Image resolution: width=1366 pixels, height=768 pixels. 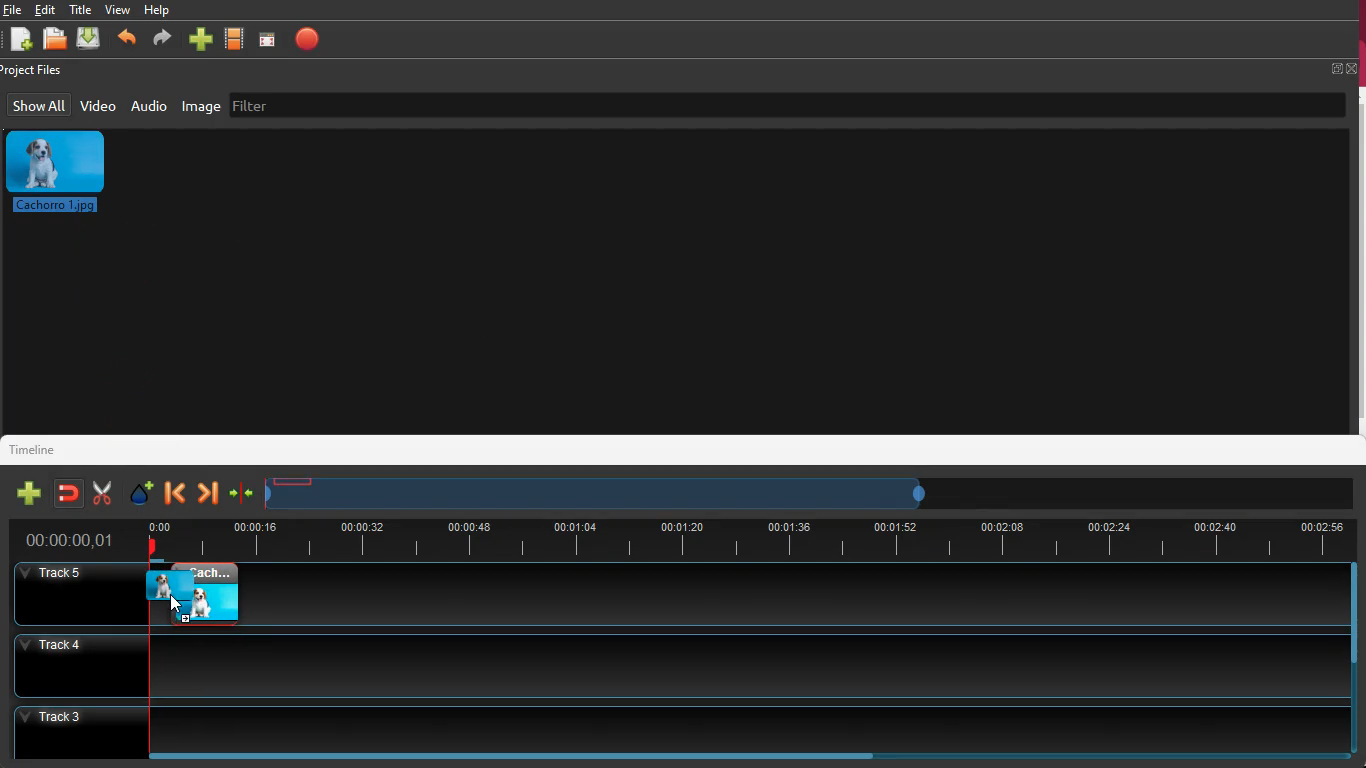 What do you see at coordinates (268, 39) in the screenshot?
I see `focus` at bounding box center [268, 39].